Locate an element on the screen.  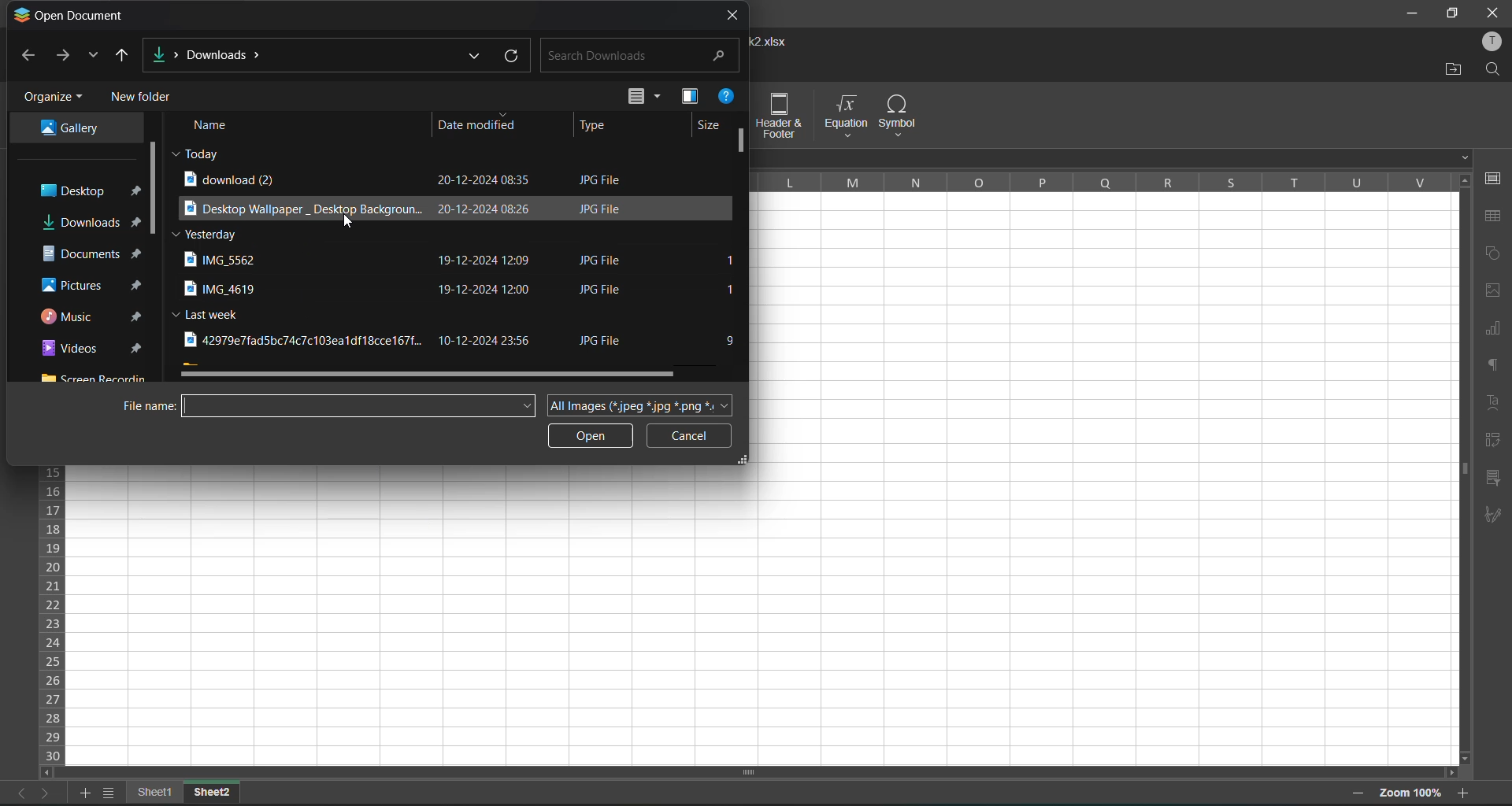
find is located at coordinates (1493, 71).